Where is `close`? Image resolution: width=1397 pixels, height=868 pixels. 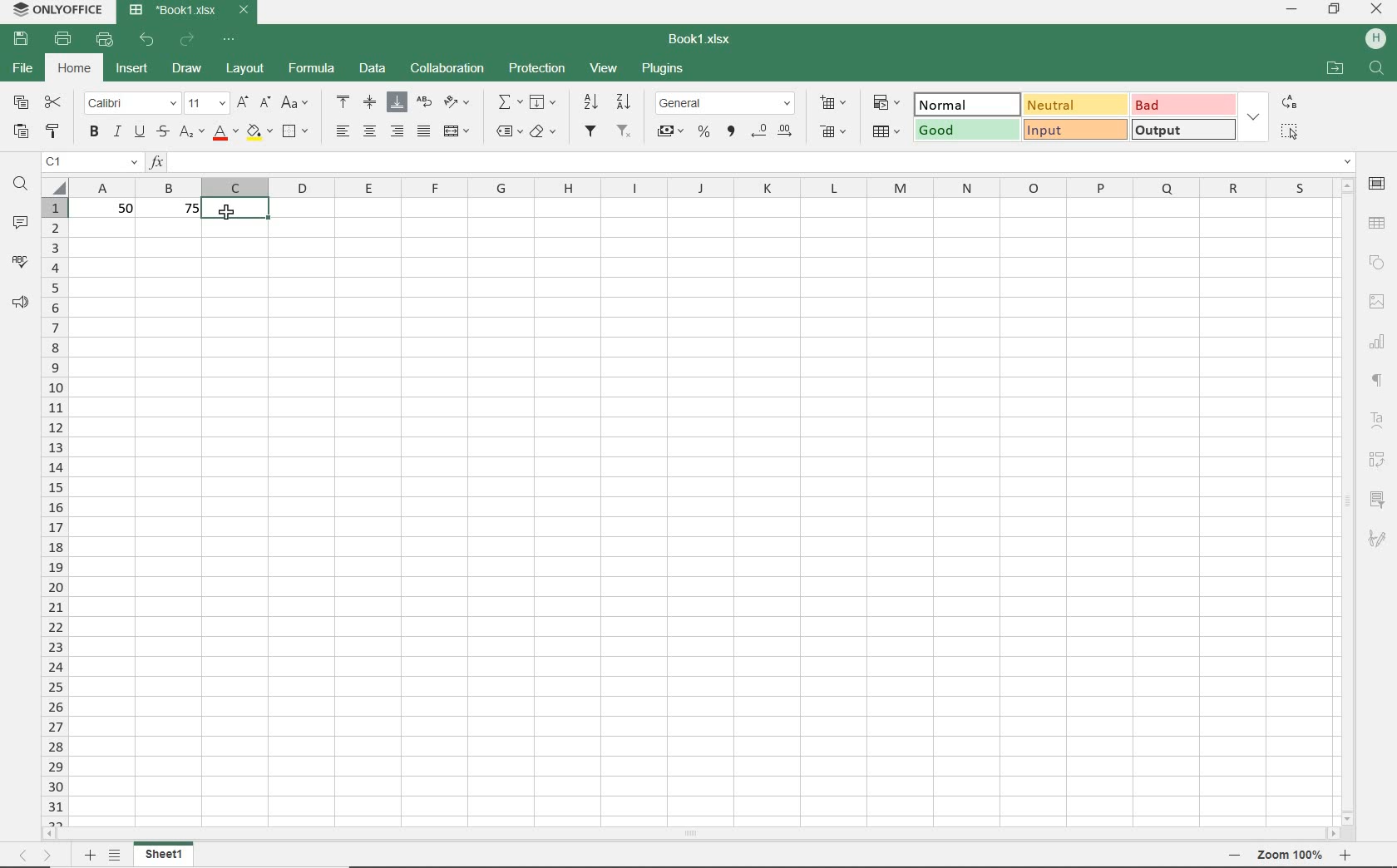
close is located at coordinates (1377, 11).